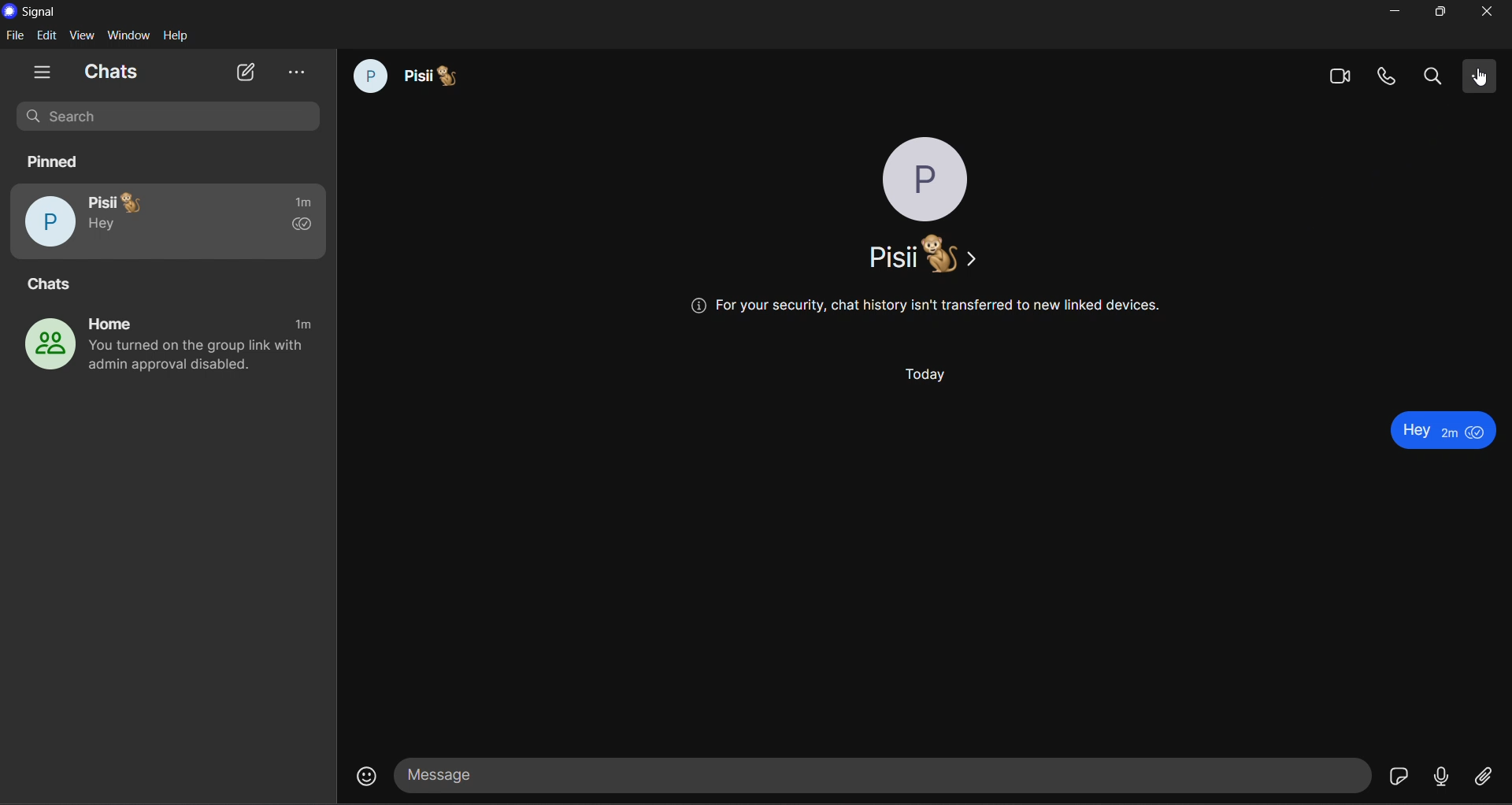 The height and width of the screenshot is (805, 1512). I want to click on video calls, so click(1337, 78).